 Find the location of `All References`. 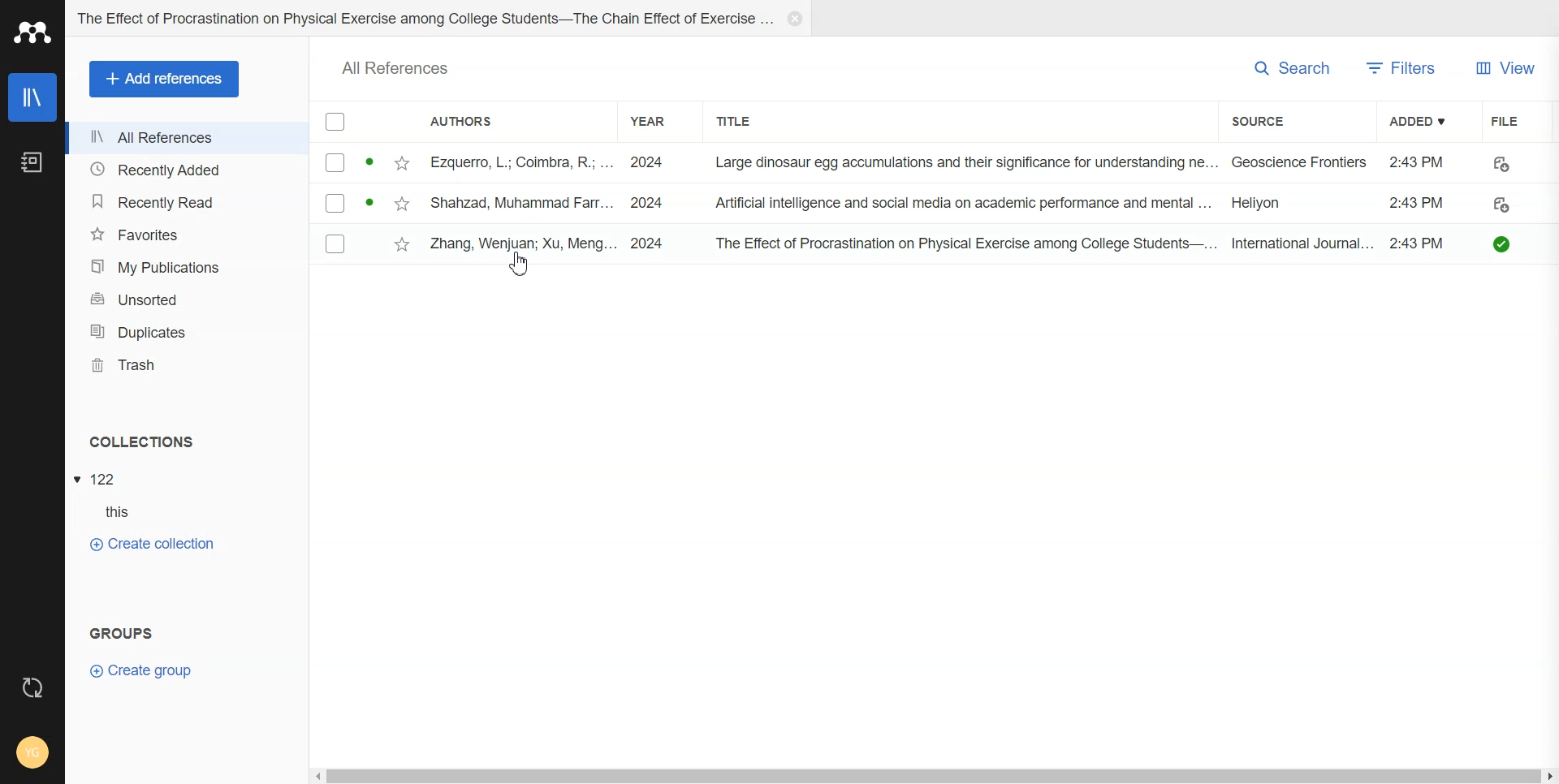

All References is located at coordinates (402, 66).